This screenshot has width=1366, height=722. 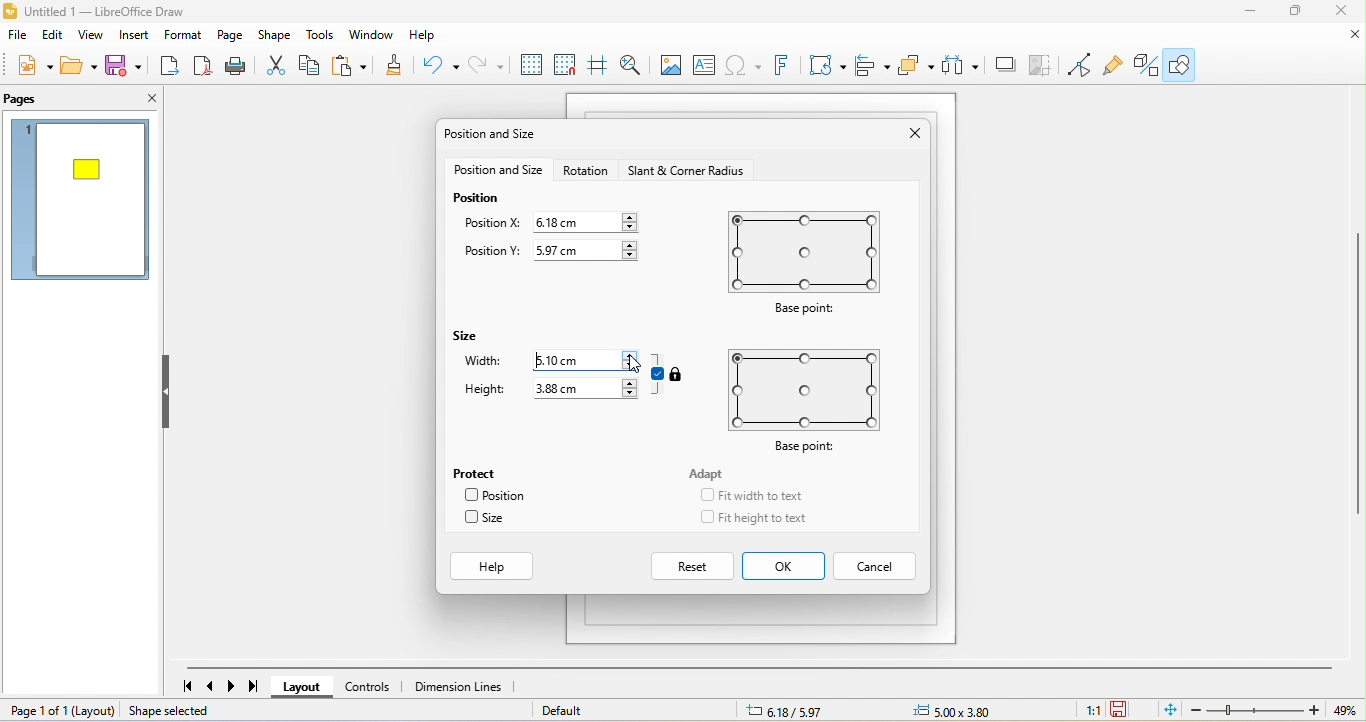 I want to click on fit width to text, so click(x=753, y=496).